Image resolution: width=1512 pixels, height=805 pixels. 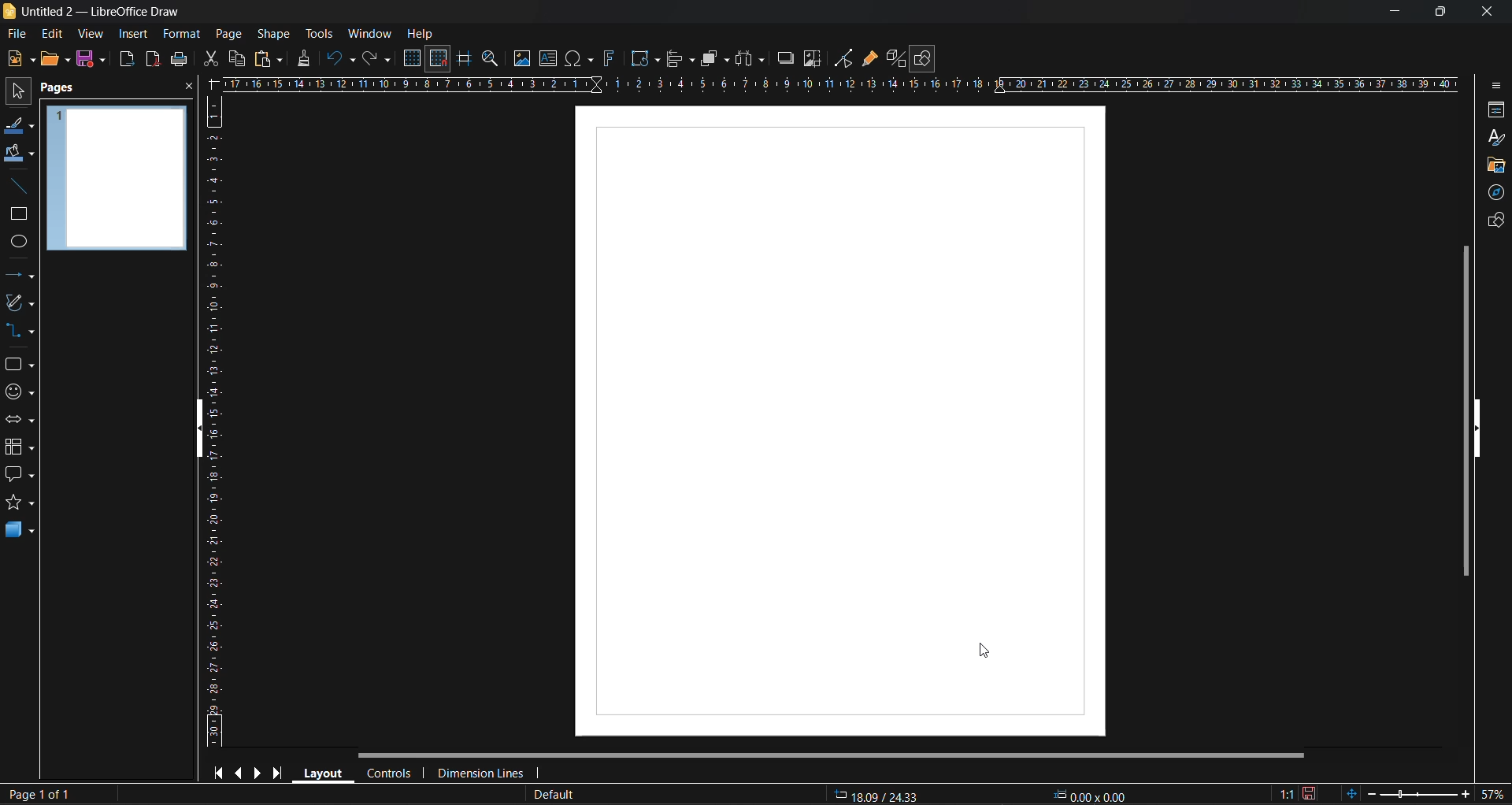 I want to click on file, so click(x=19, y=34).